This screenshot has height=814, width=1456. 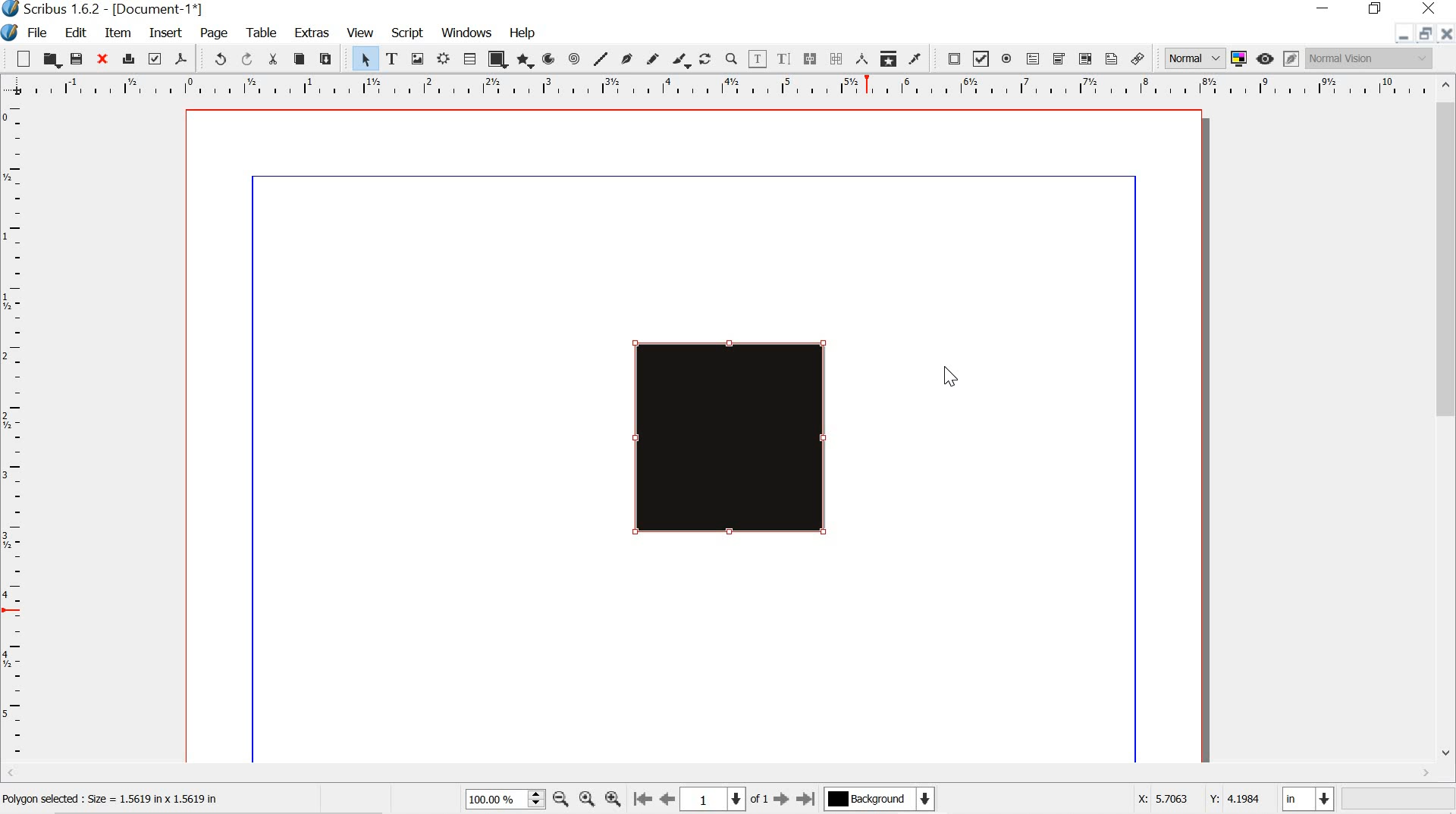 What do you see at coordinates (1138, 56) in the screenshot?
I see `link annotation` at bounding box center [1138, 56].